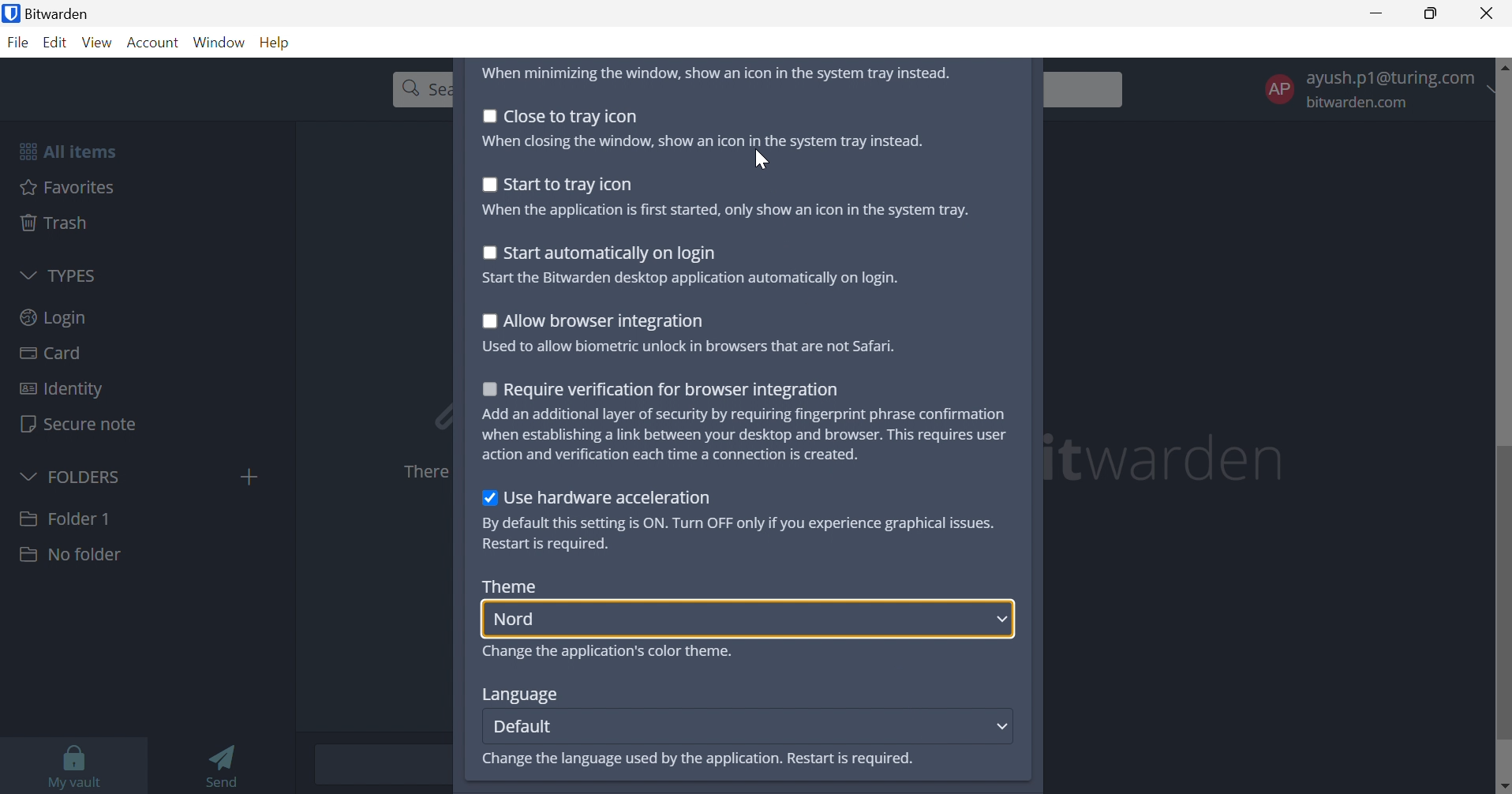 The image size is (1512, 794). Describe the element at coordinates (221, 42) in the screenshot. I see `Window` at that location.